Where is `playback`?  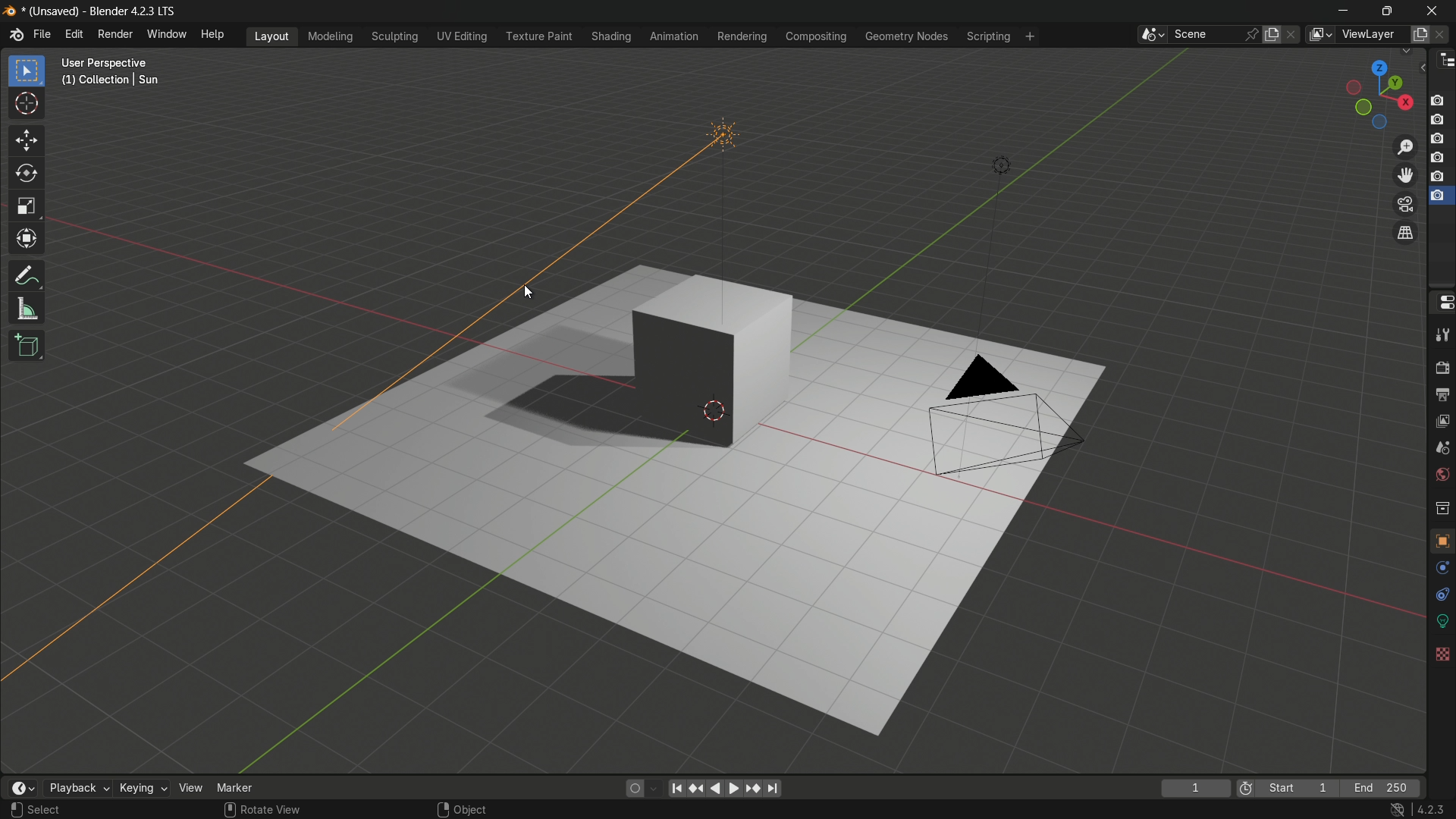
playback is located at coordinates (75, 788).